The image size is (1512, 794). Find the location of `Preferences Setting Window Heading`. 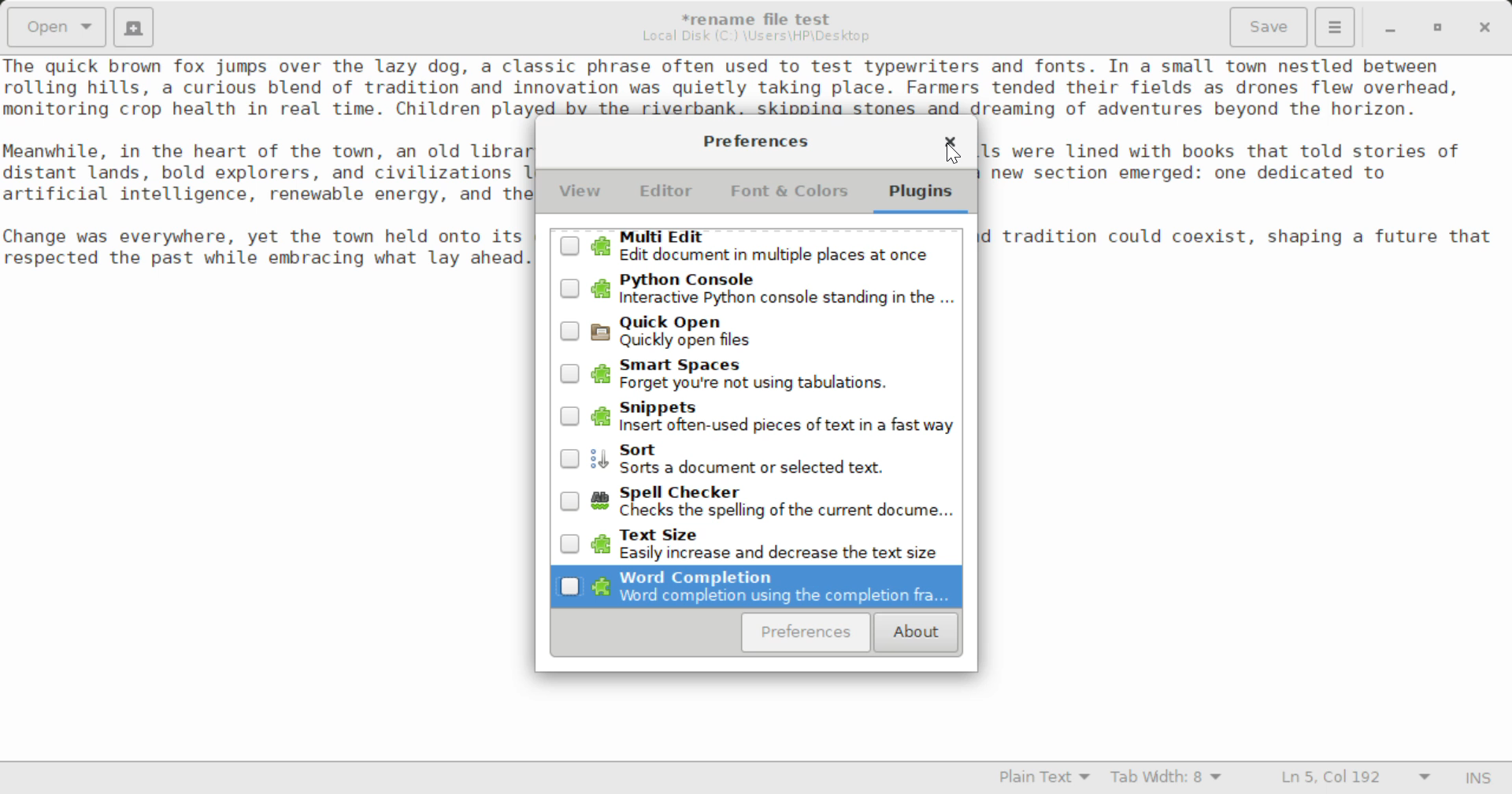

Preferences Setting Window Heading is located at coordinates (755, 141).